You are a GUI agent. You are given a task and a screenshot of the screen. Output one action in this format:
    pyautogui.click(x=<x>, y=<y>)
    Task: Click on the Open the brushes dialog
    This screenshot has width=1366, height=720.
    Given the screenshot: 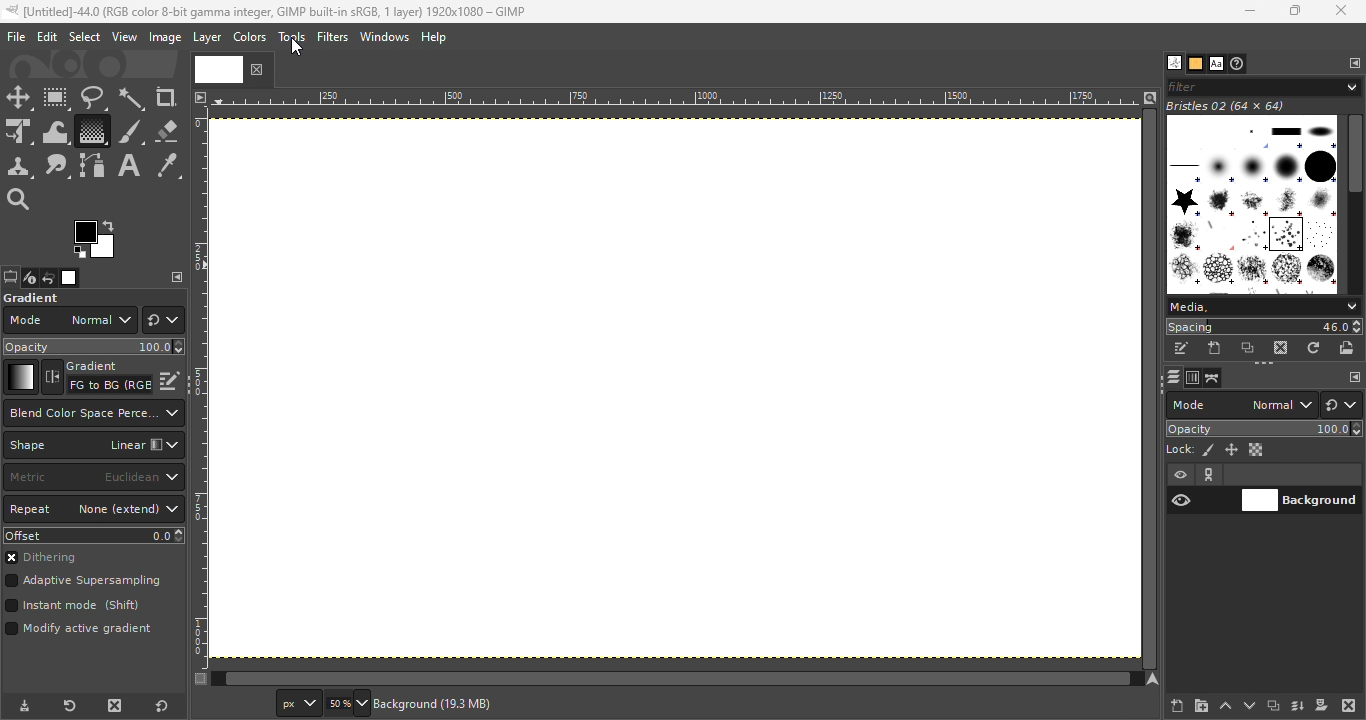 What is the action you would take?
    pyautogui.click(x=1174, y=62)
    